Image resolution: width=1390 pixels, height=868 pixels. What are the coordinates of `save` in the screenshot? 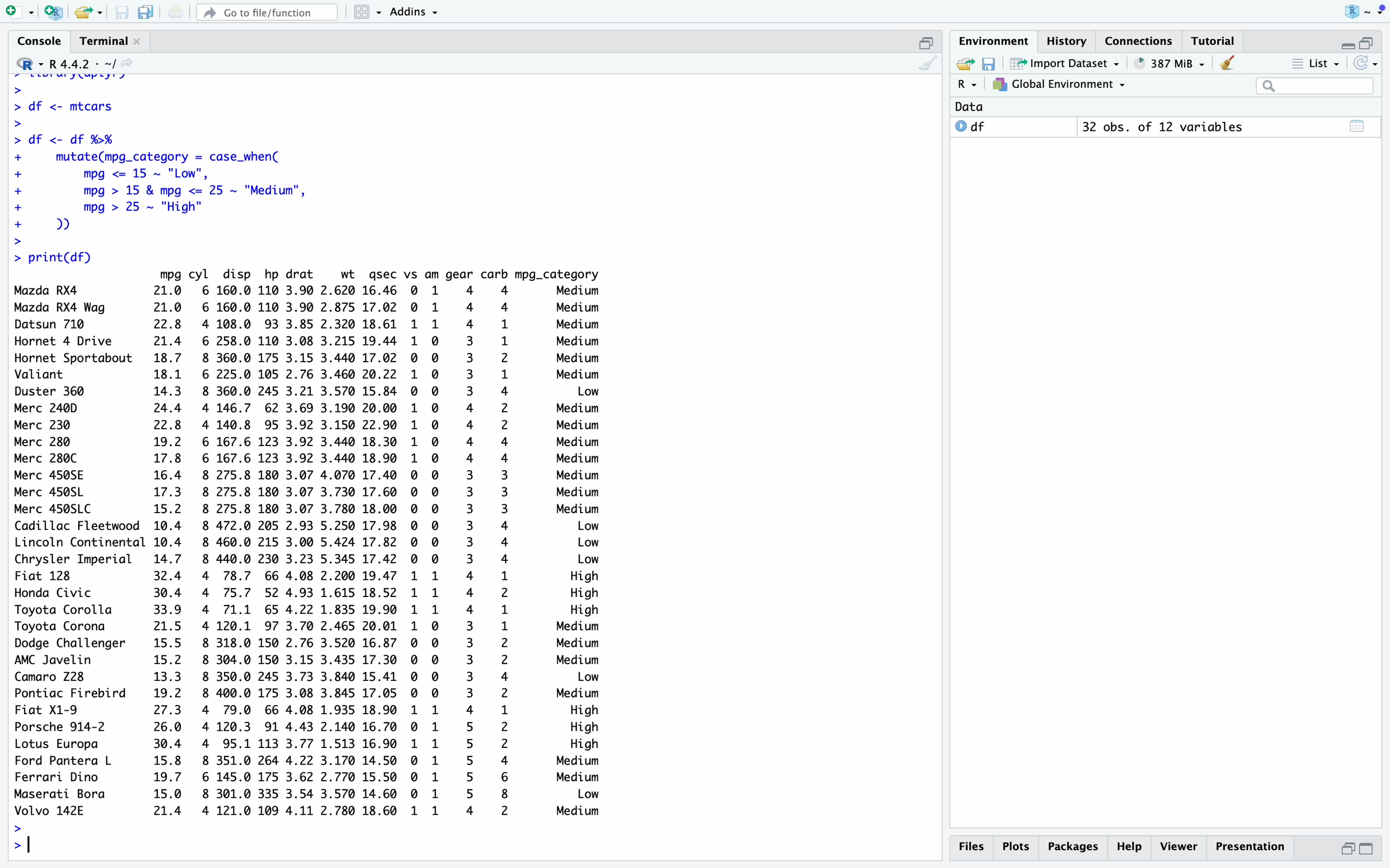 It's located at (989, 64).